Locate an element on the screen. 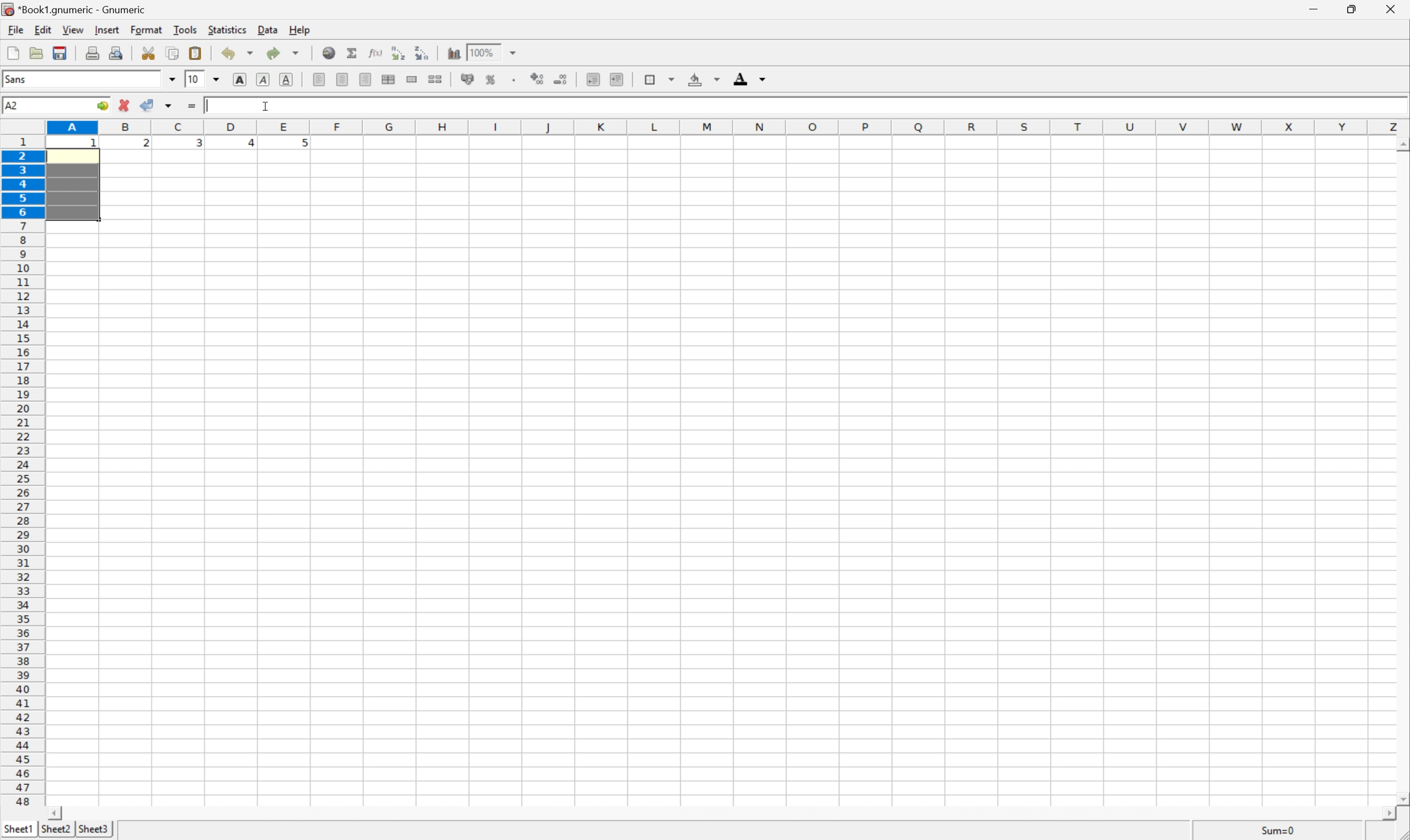  open file is located at coordinates (38, 52).